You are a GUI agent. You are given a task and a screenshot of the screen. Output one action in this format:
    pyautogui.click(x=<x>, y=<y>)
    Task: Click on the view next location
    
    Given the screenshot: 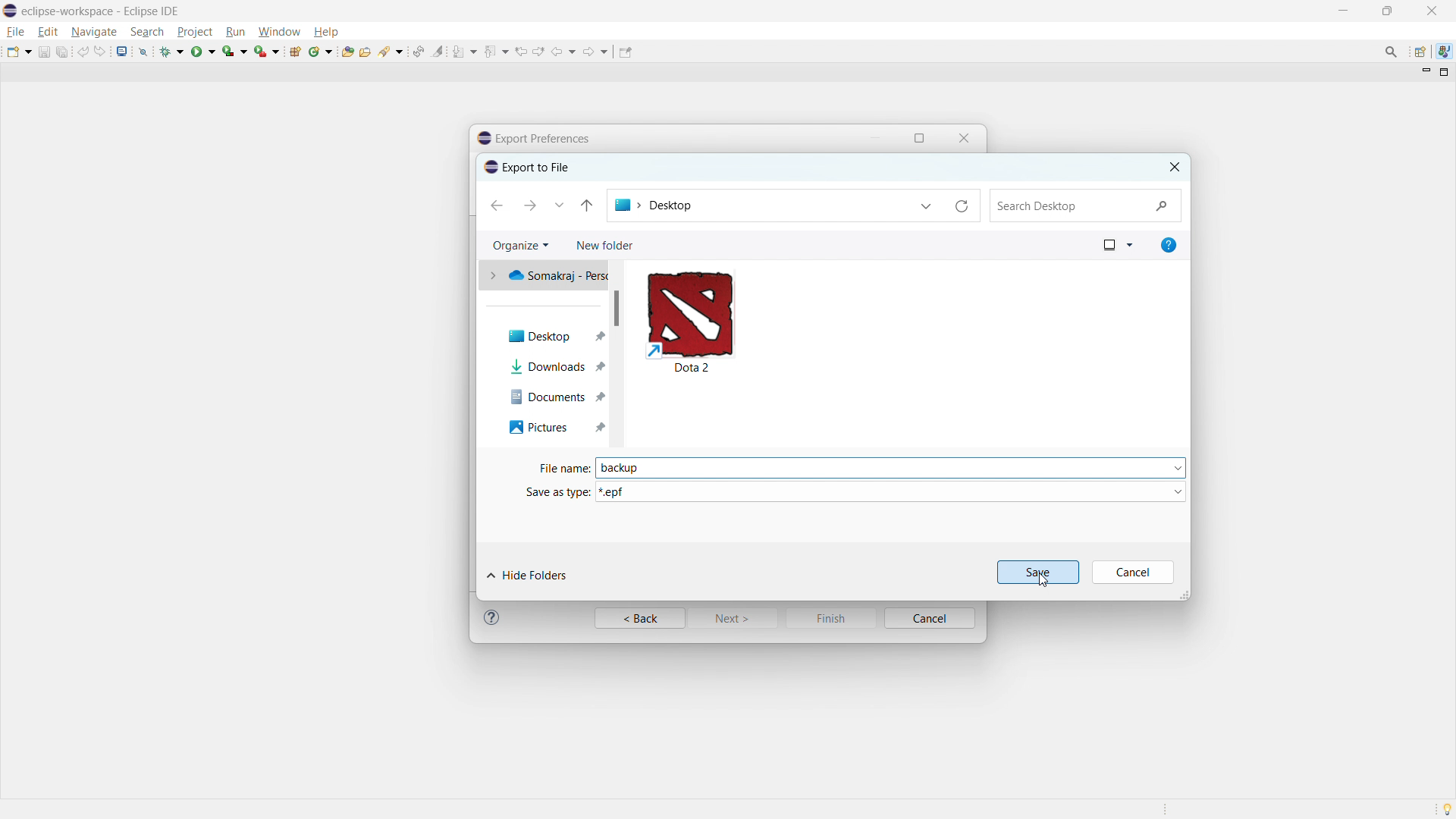 What is the action you would take?
    pyautogui.click(x=539, y=51)
    